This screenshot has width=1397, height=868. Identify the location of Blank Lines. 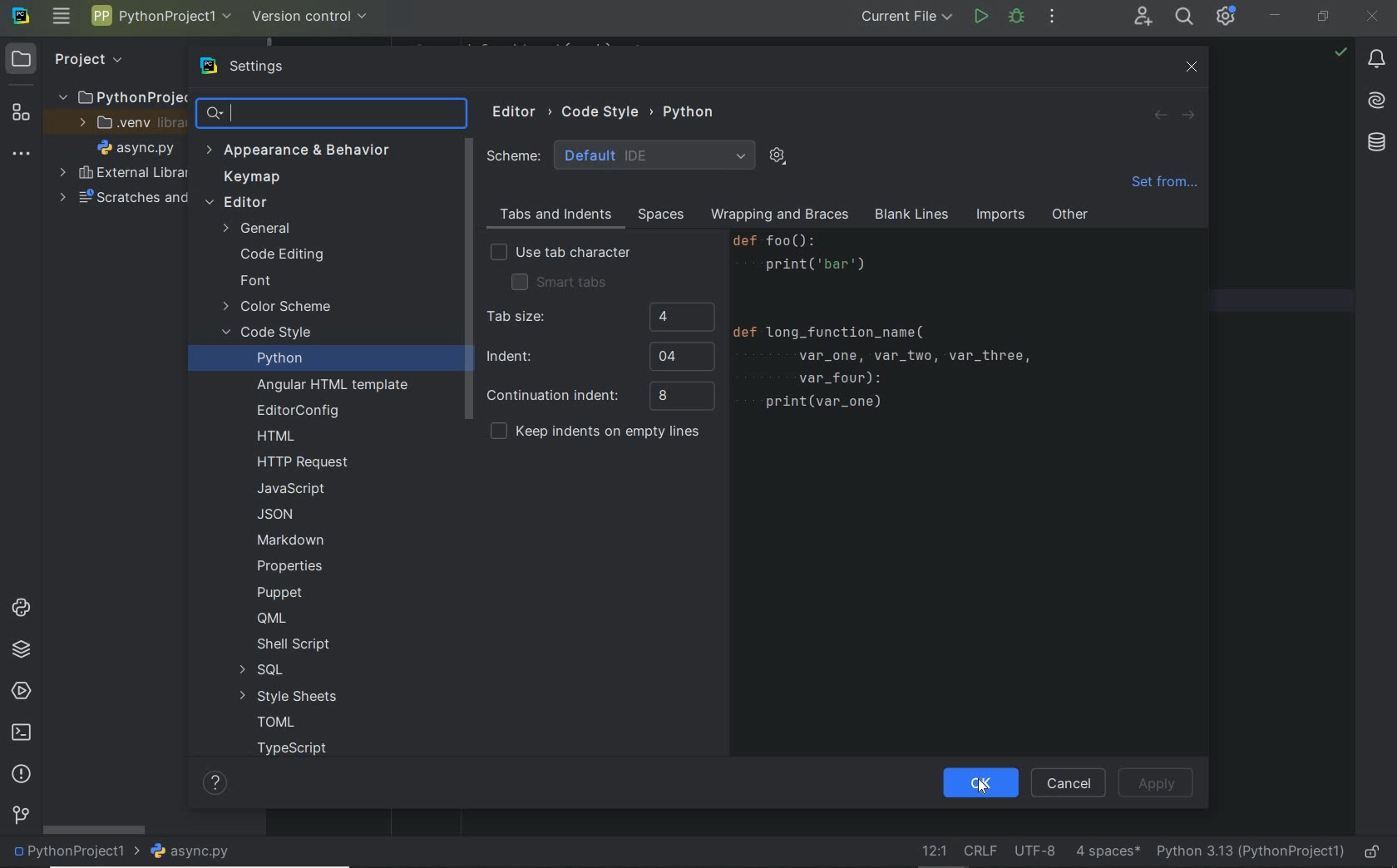
(912, 216).